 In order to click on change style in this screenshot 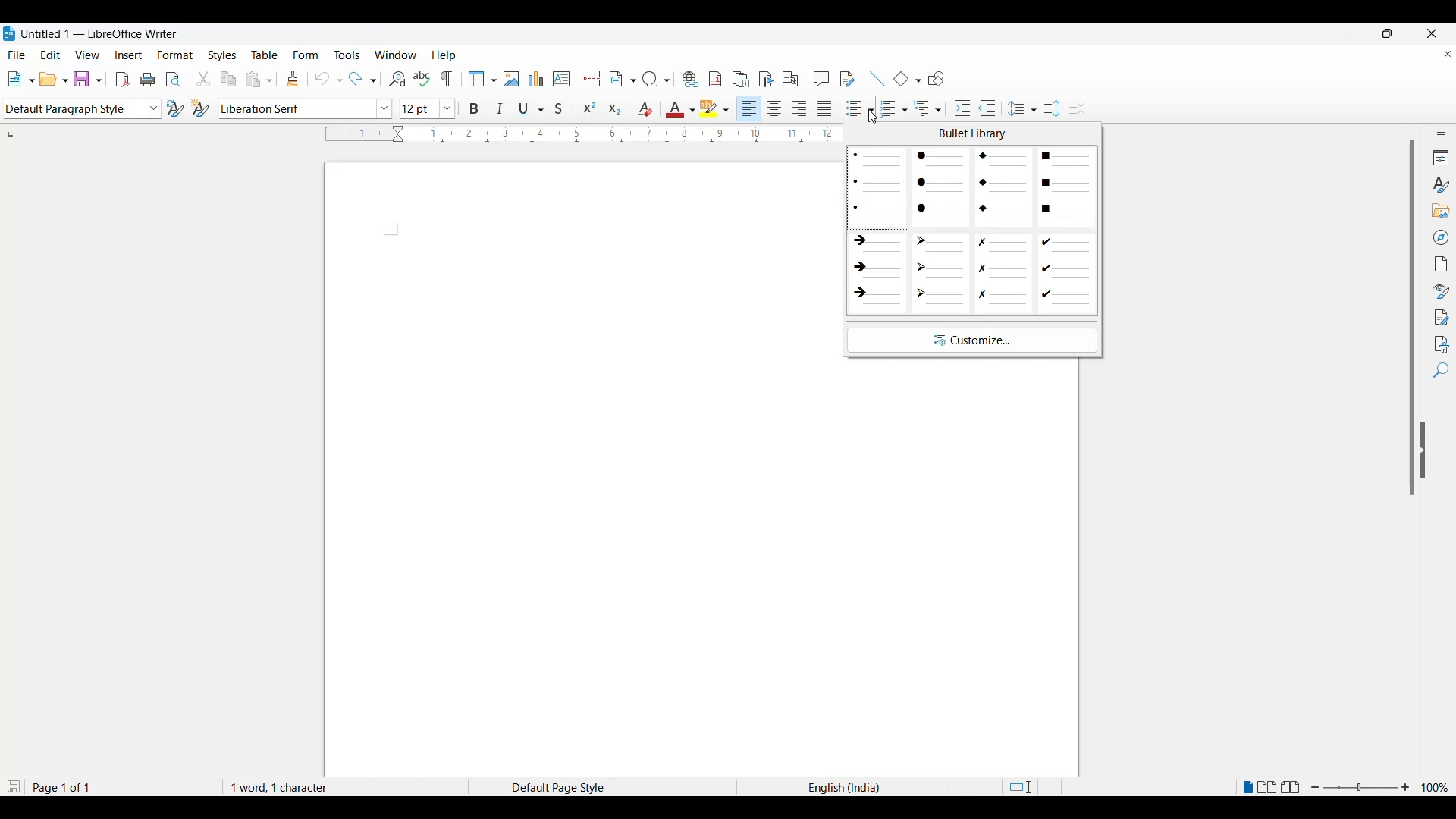, I will do `click(201, 108)`.